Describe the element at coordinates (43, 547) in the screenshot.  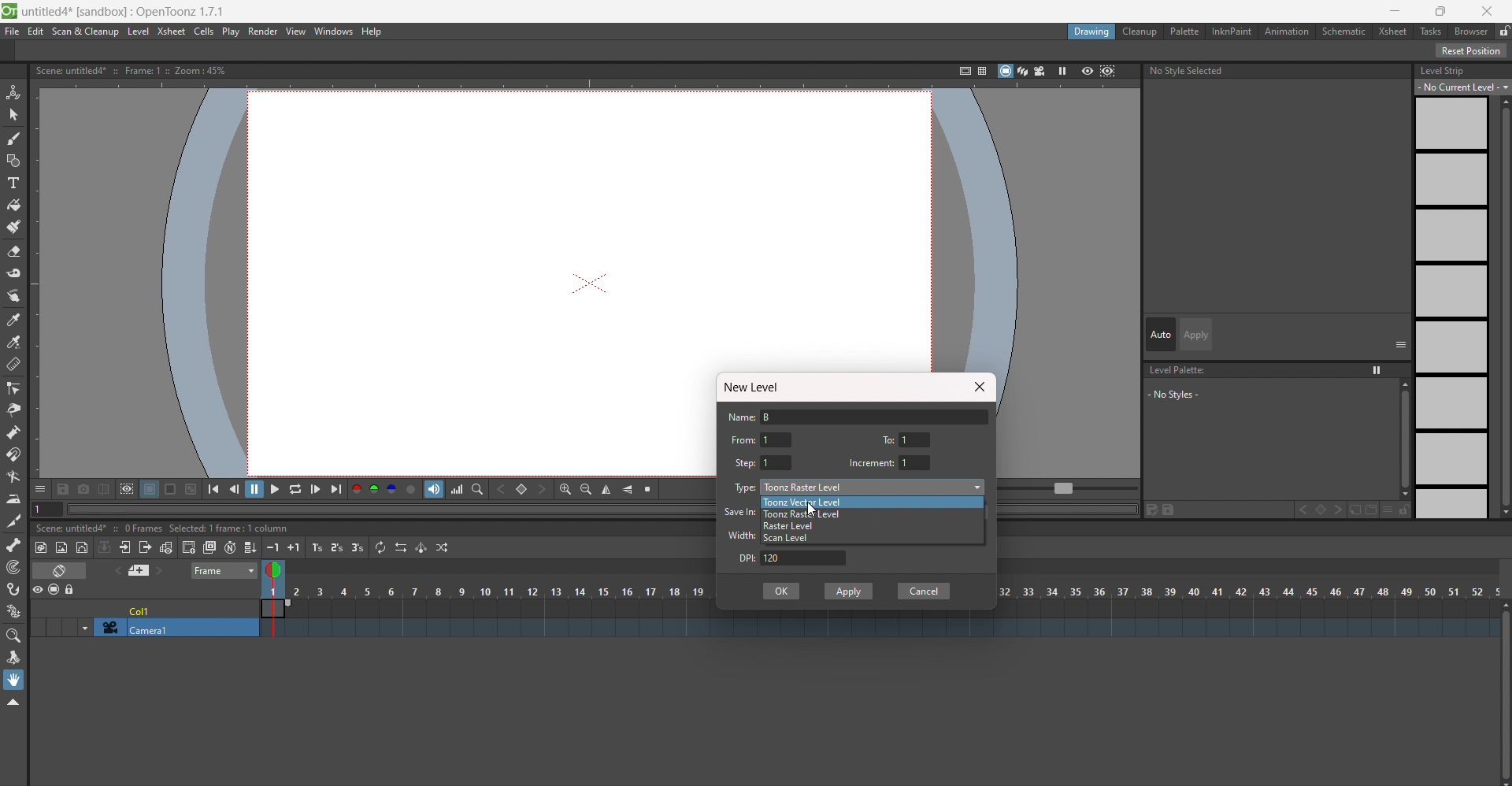
I see `new toonz raster level` at that location.